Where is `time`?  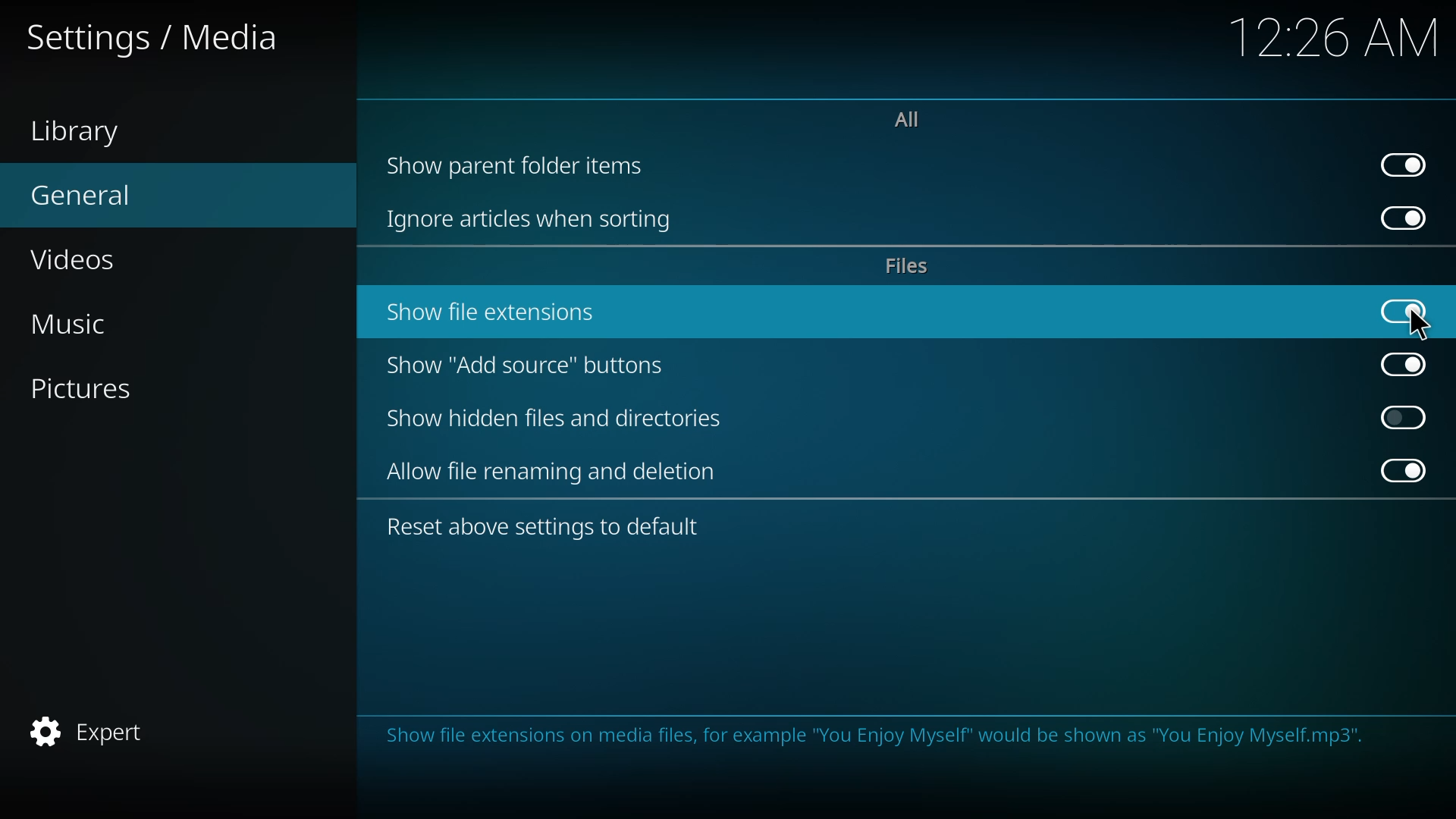
time is located at coordinates (1338, 37).